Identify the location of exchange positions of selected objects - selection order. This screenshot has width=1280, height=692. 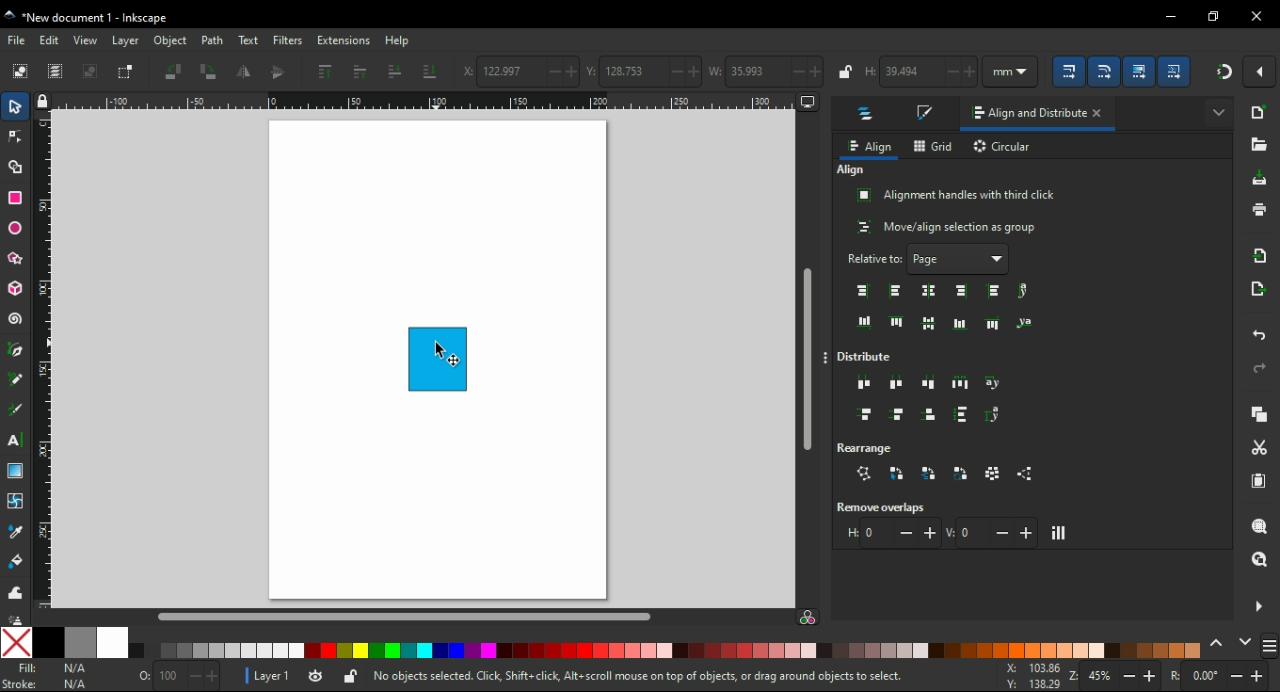
(900, 473).